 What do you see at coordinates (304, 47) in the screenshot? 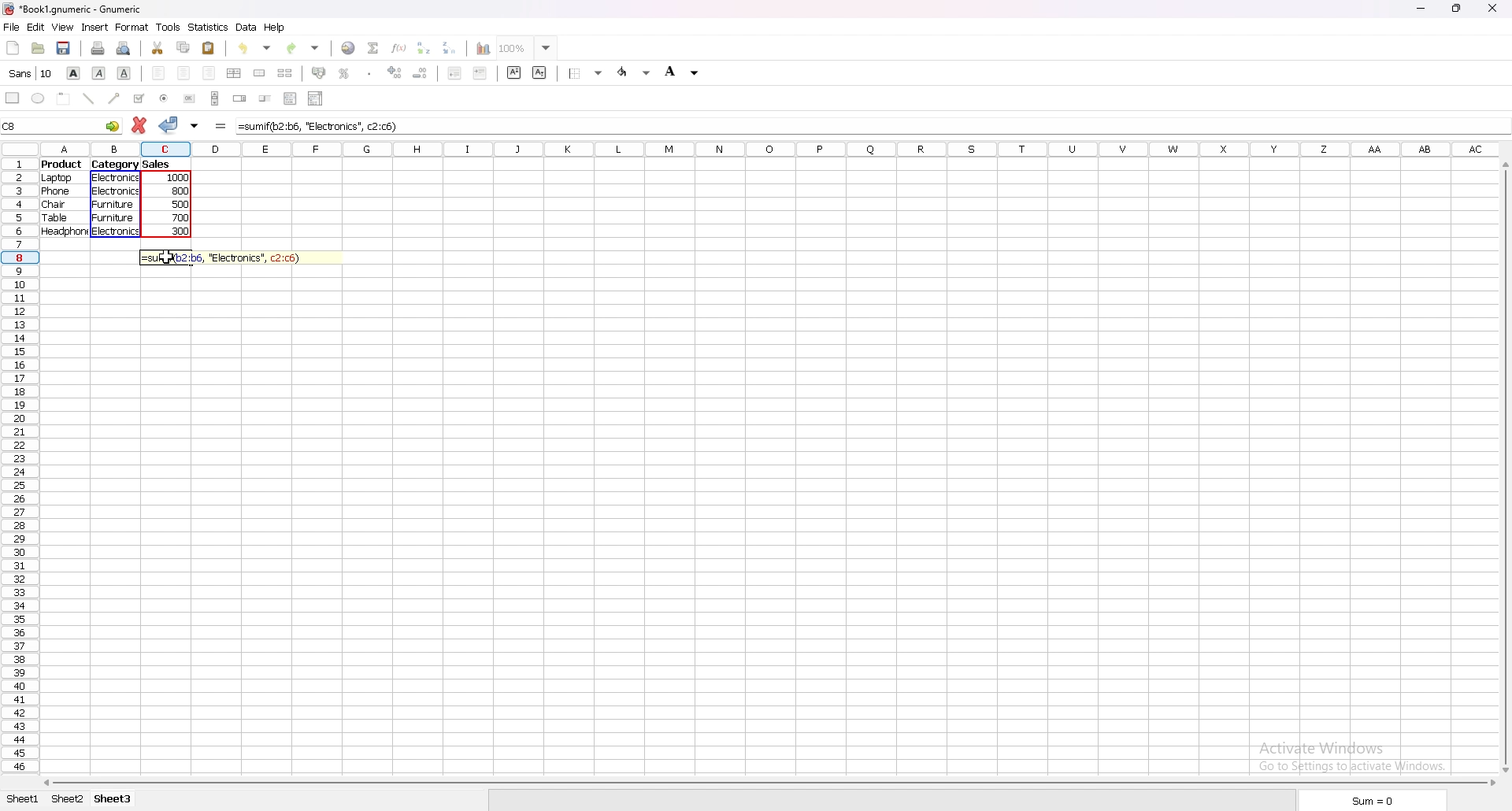
I see `redo` at bounding box center [304, 47].